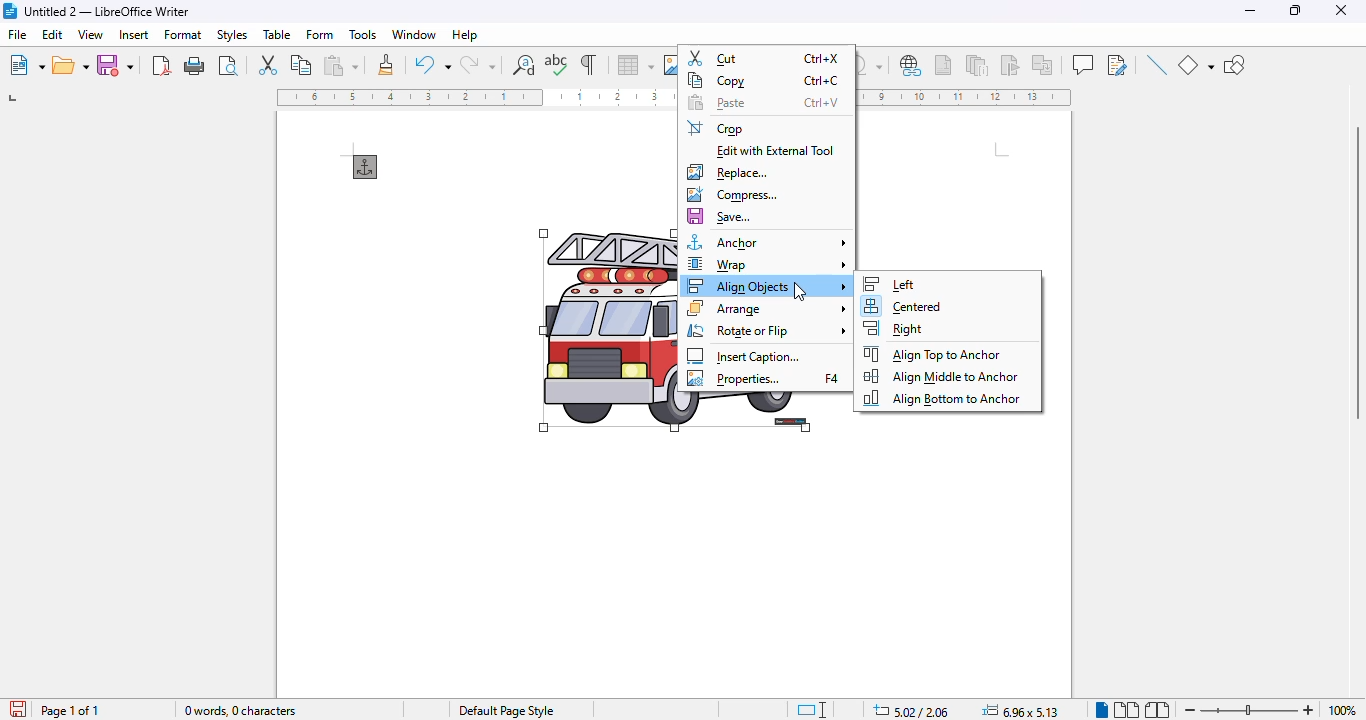 Image resolution: width=1366 pixels, height=720 pixels. Describe the element at coordinates (363, 35) in the screenshot. I see `tools` at that location.